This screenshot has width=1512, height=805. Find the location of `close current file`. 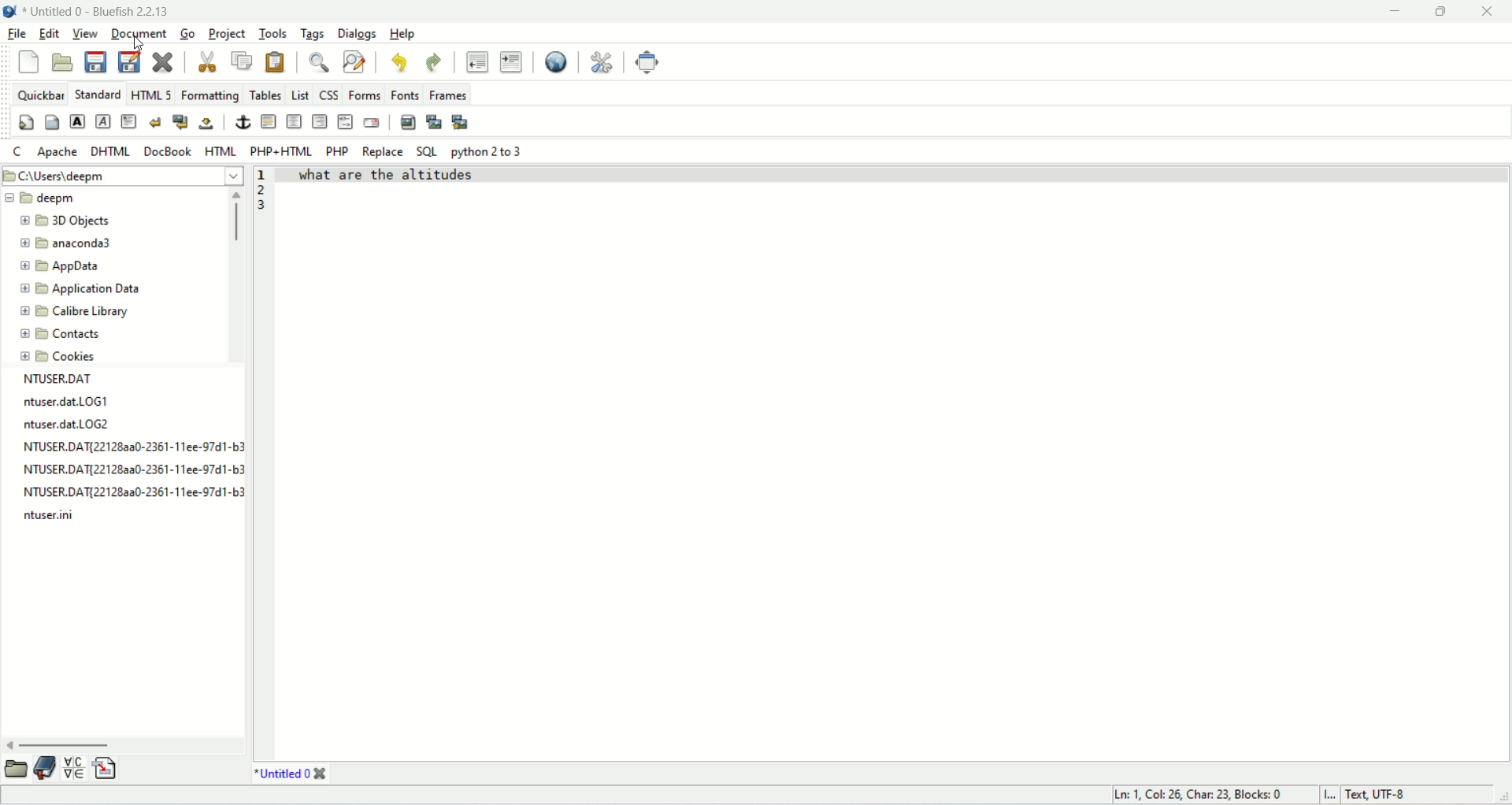

close current file is located at coordinates (161, 62).